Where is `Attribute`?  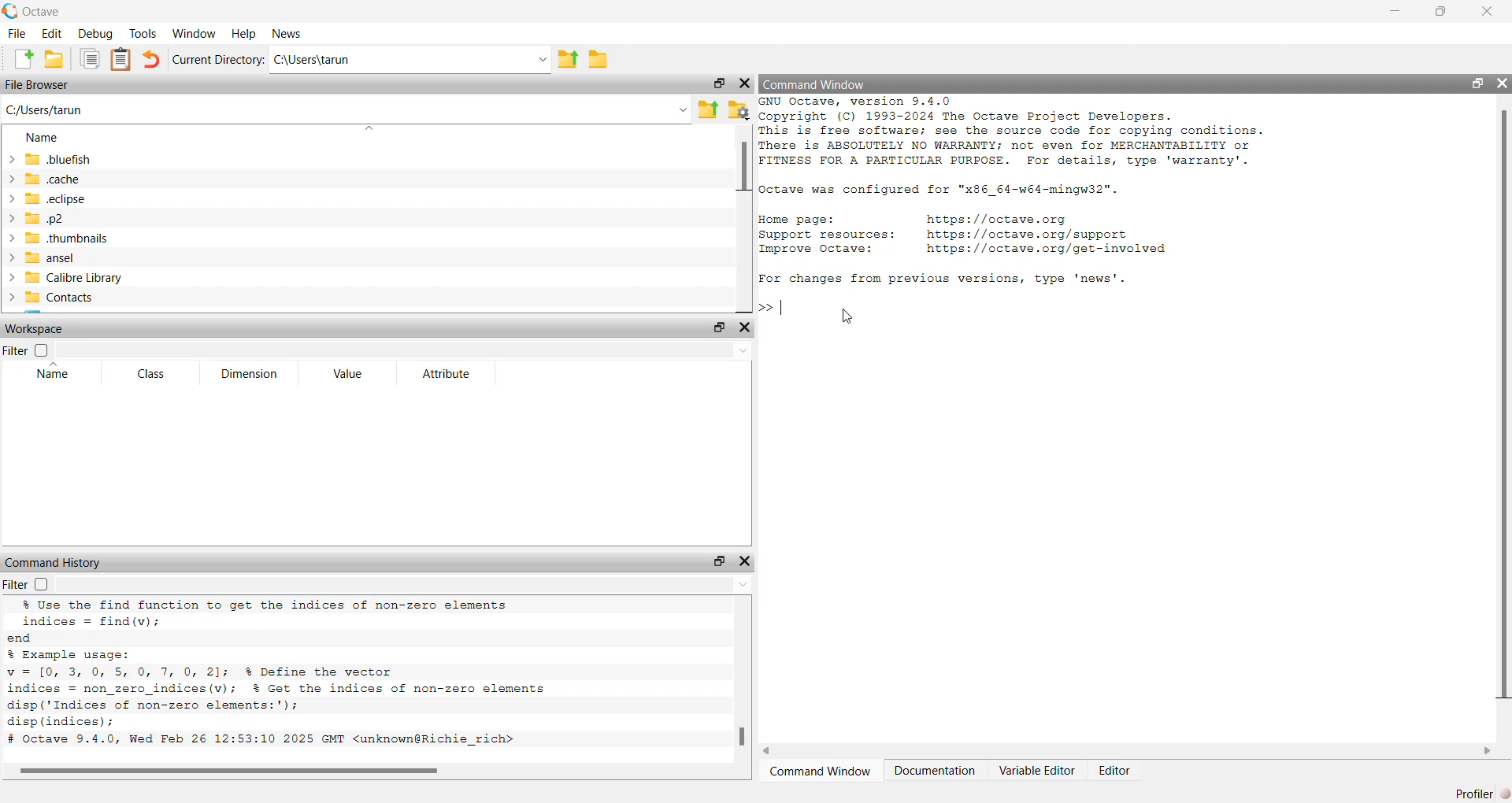 Attribute is located at coordinates (450, 376).